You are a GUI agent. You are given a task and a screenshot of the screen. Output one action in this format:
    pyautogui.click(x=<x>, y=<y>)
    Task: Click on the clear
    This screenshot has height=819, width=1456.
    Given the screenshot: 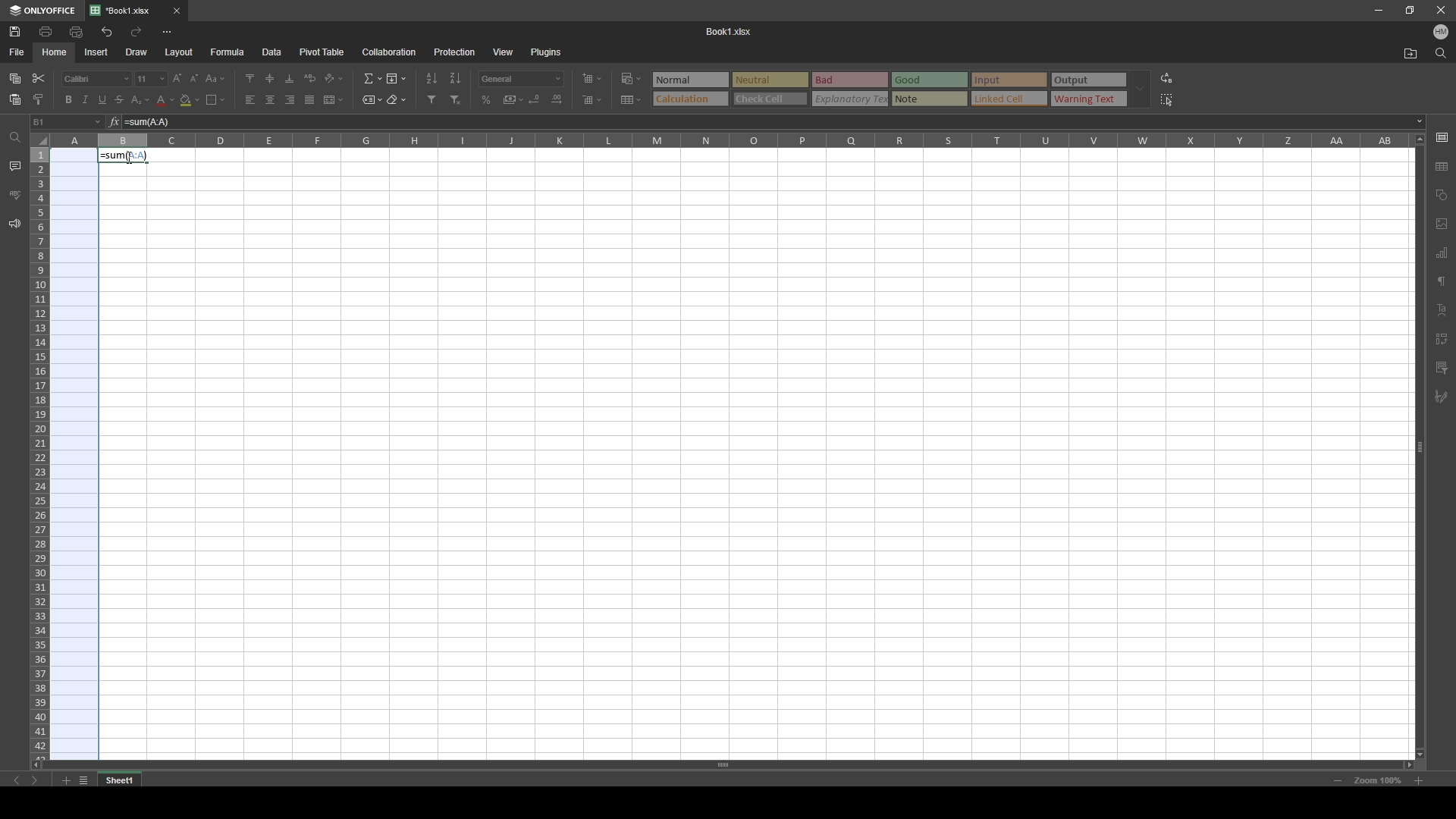 What is the action you would take?
    pyautogui.click(x=396, y=99)
    